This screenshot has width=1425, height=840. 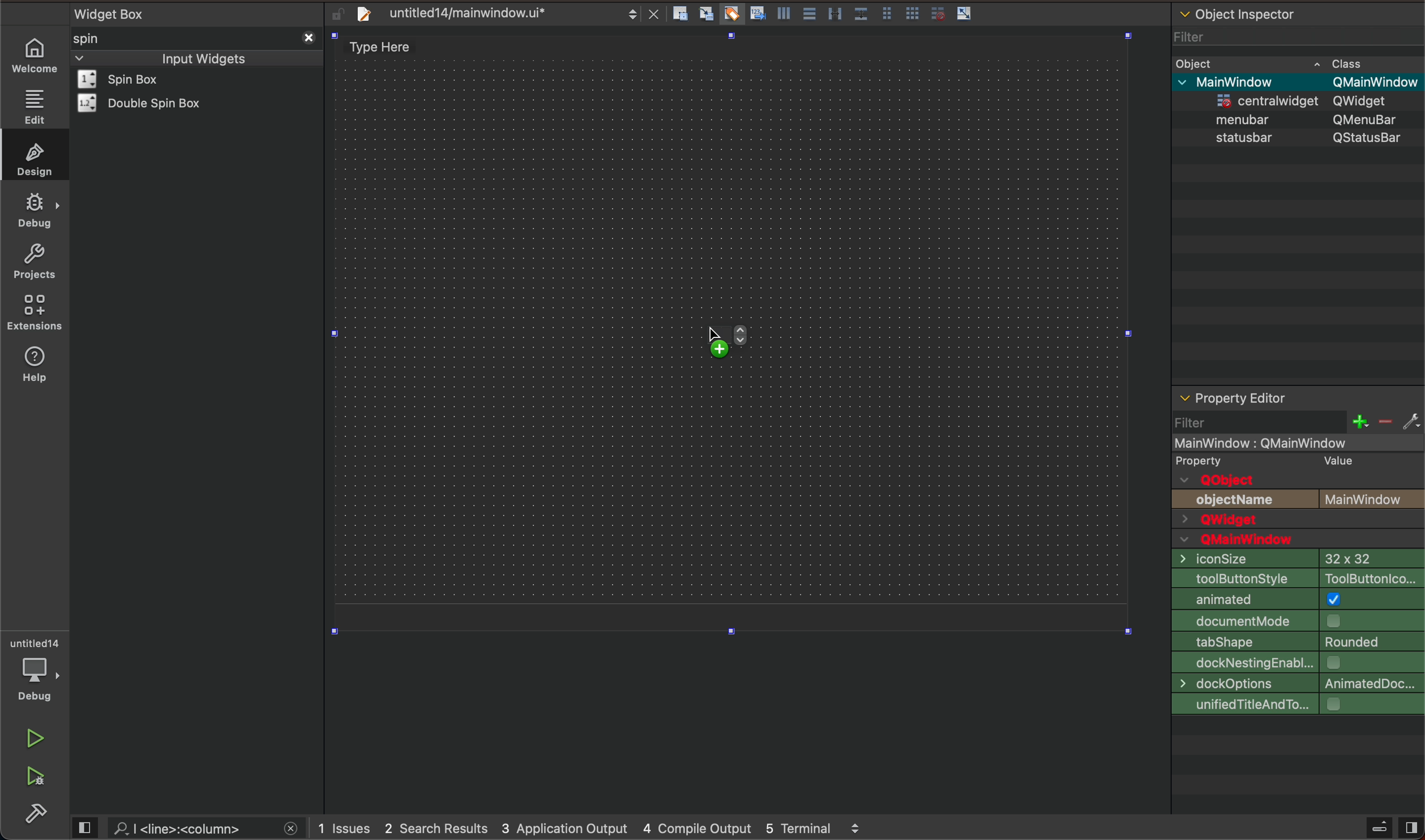 I want to click on WELCOME, so click(x=36, y=56).